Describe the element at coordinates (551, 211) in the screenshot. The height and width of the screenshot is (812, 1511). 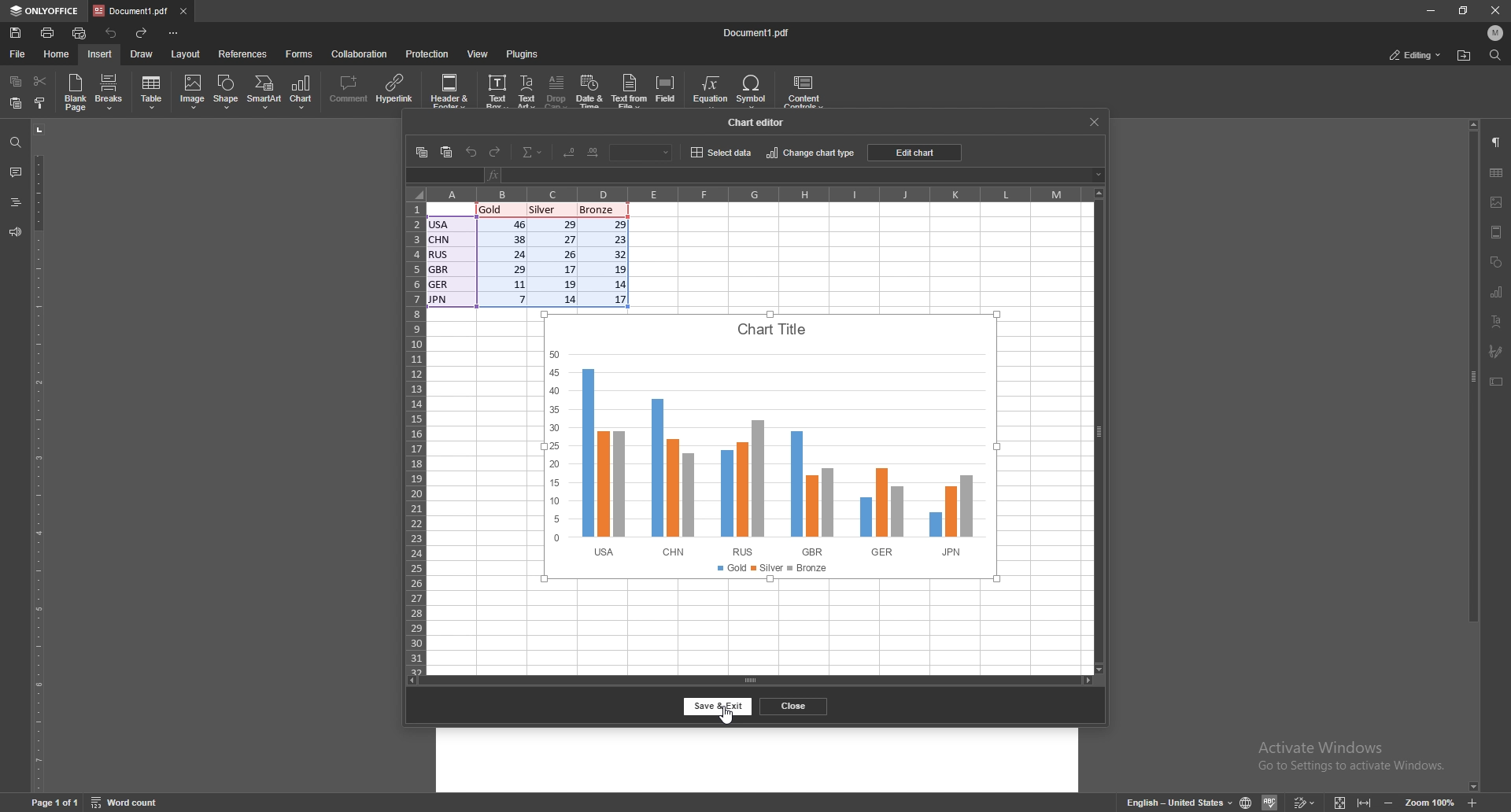
I see `silver` at that location.